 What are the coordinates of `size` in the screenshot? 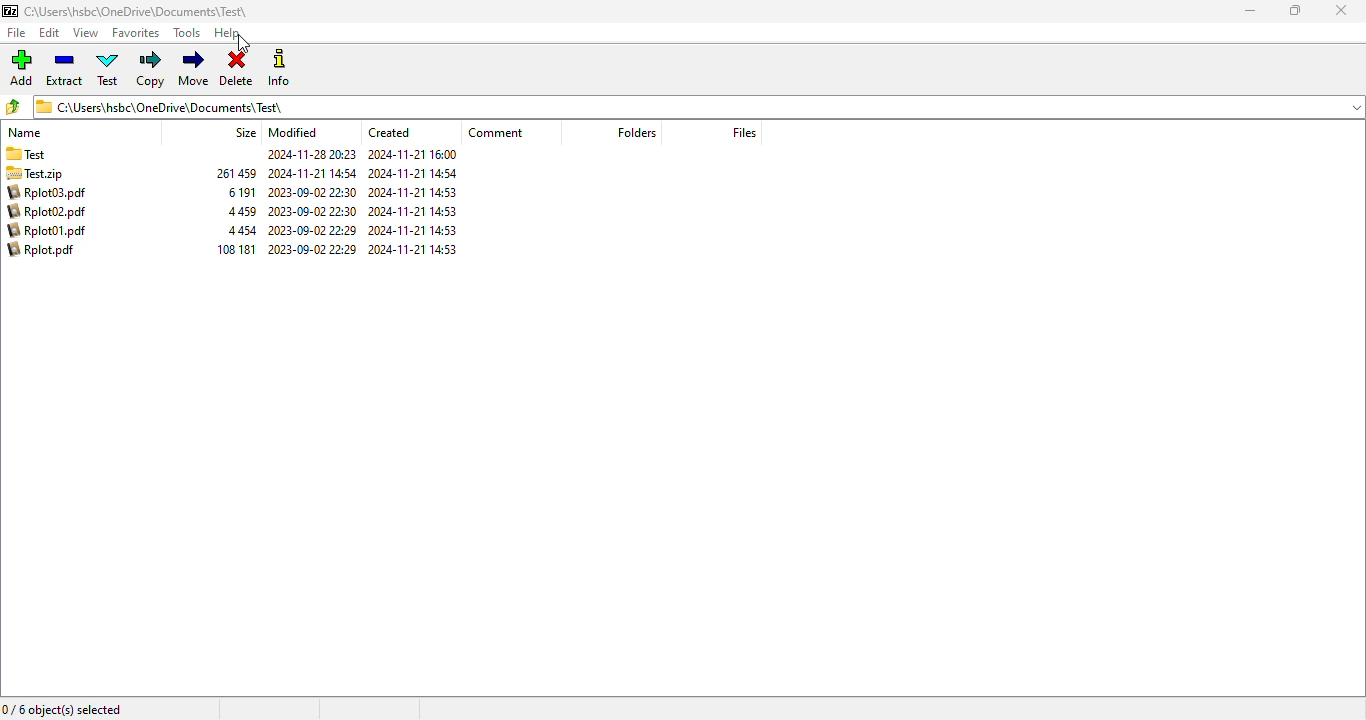 It's located at (245, 133).